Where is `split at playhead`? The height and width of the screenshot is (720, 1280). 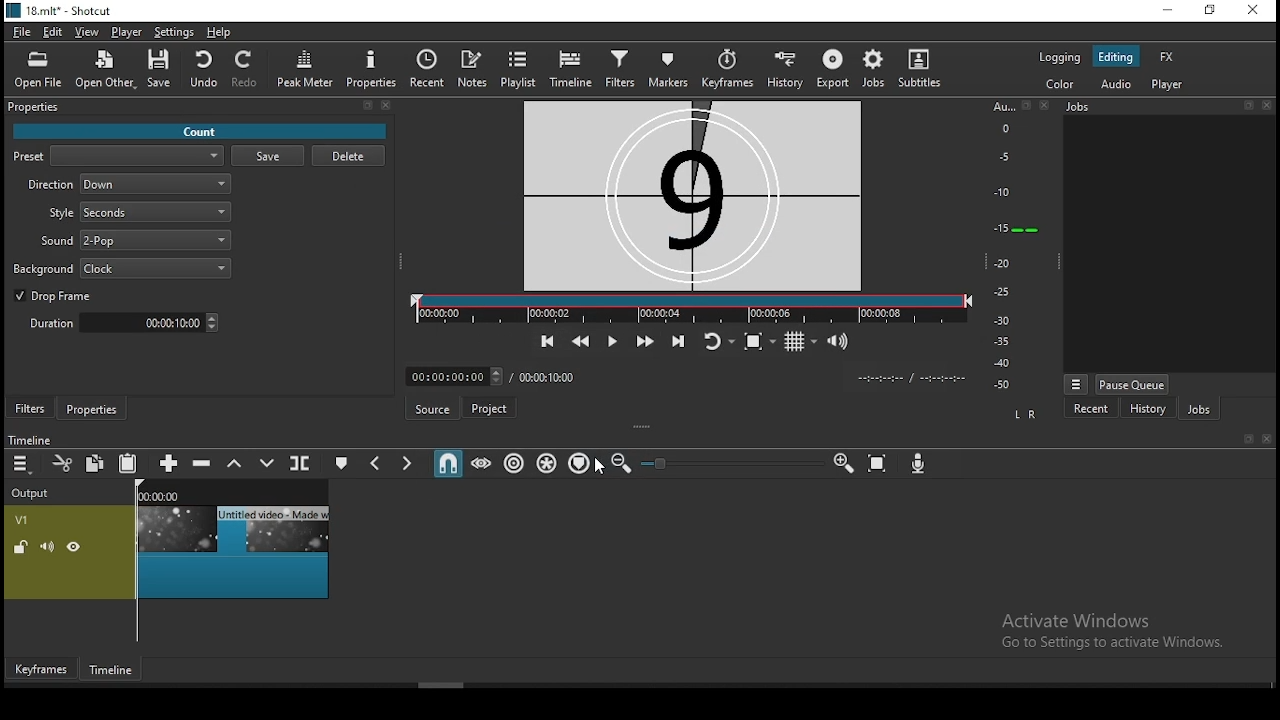
split at playhead is located at coordinates (427, 68).